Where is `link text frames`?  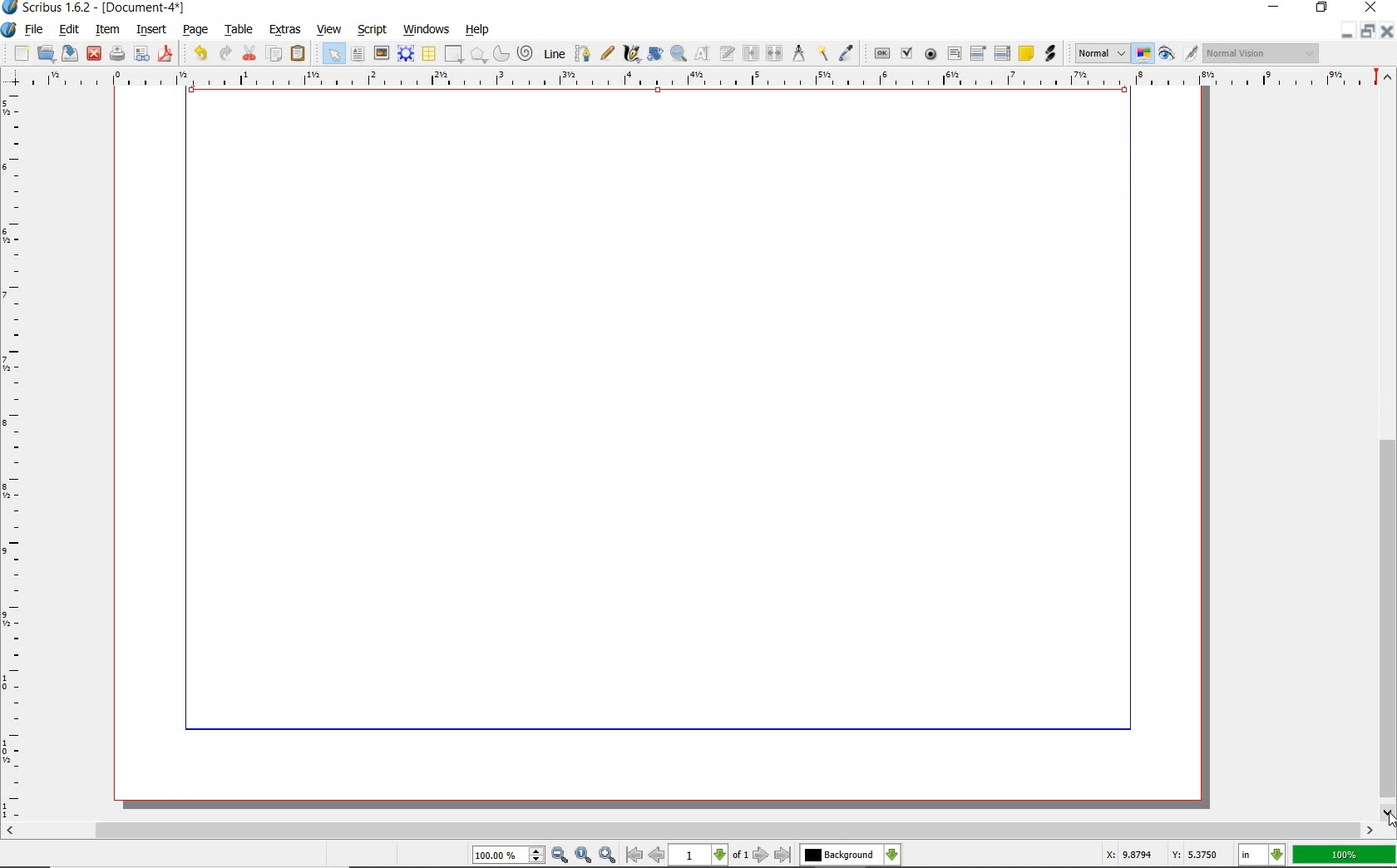
link text frames is located at coordinates (748, 52).